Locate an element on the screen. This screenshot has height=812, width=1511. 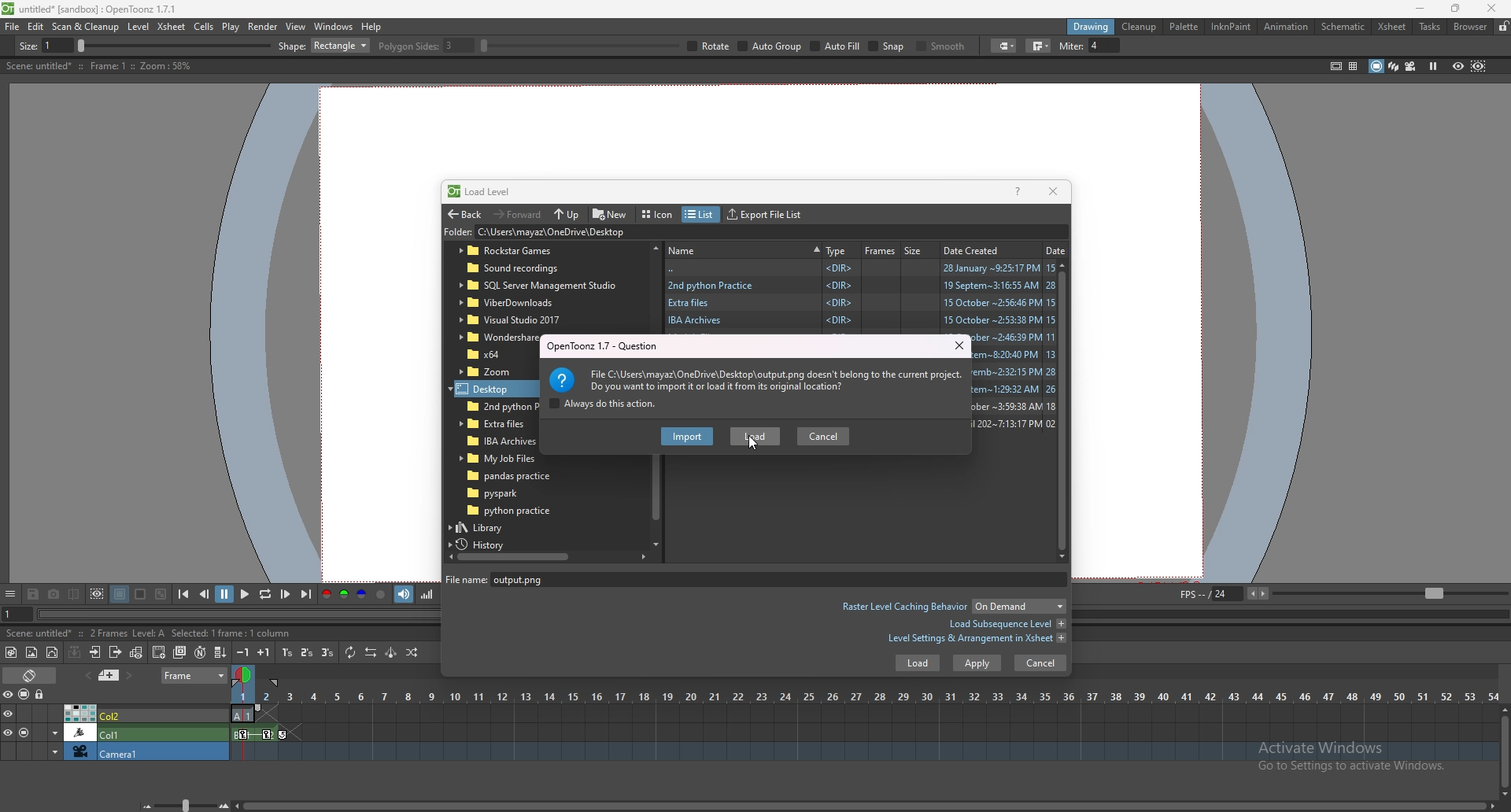
close is located at coordinates (1051, 190).